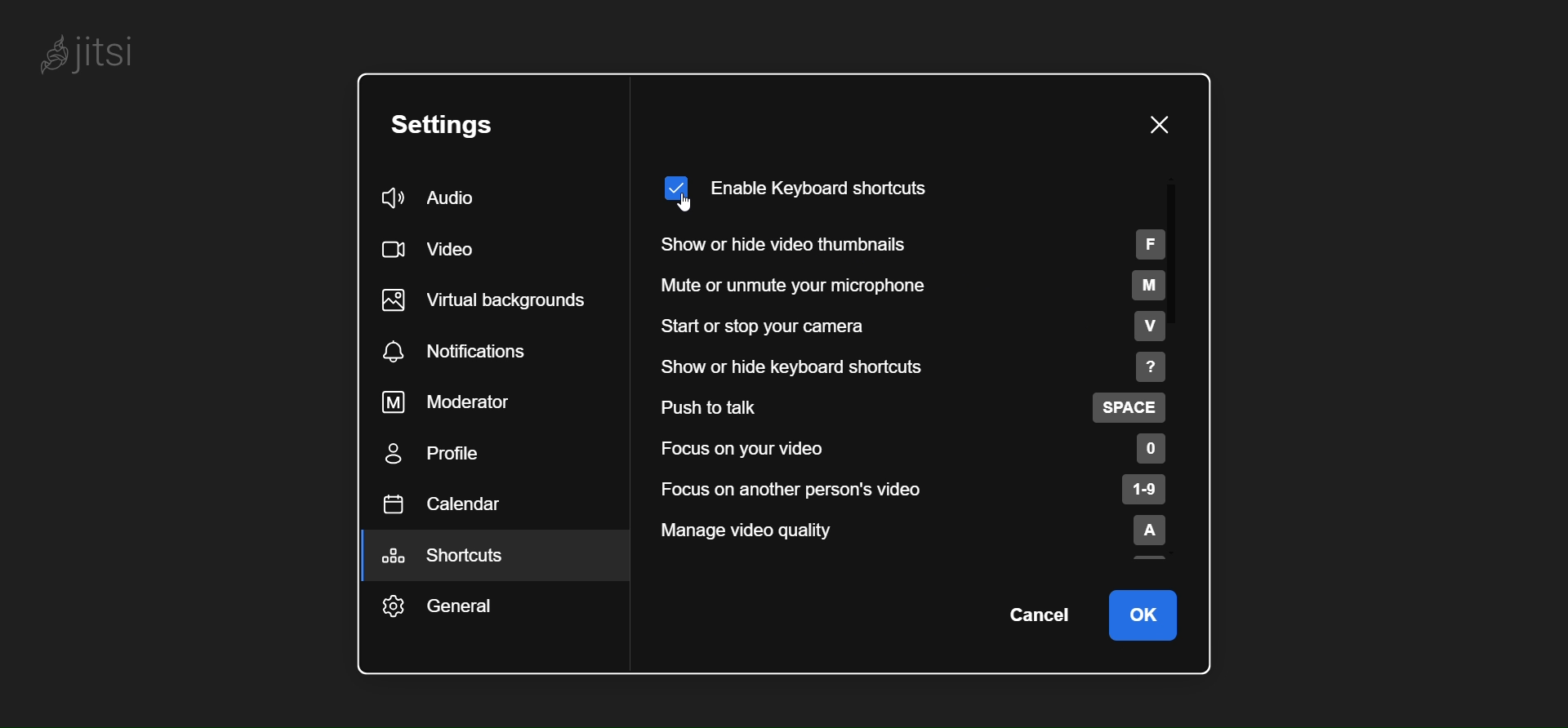  What do you see at coordinates (474, 352) in the screenshot?
I see `notification` at bounding box center [474, 352].